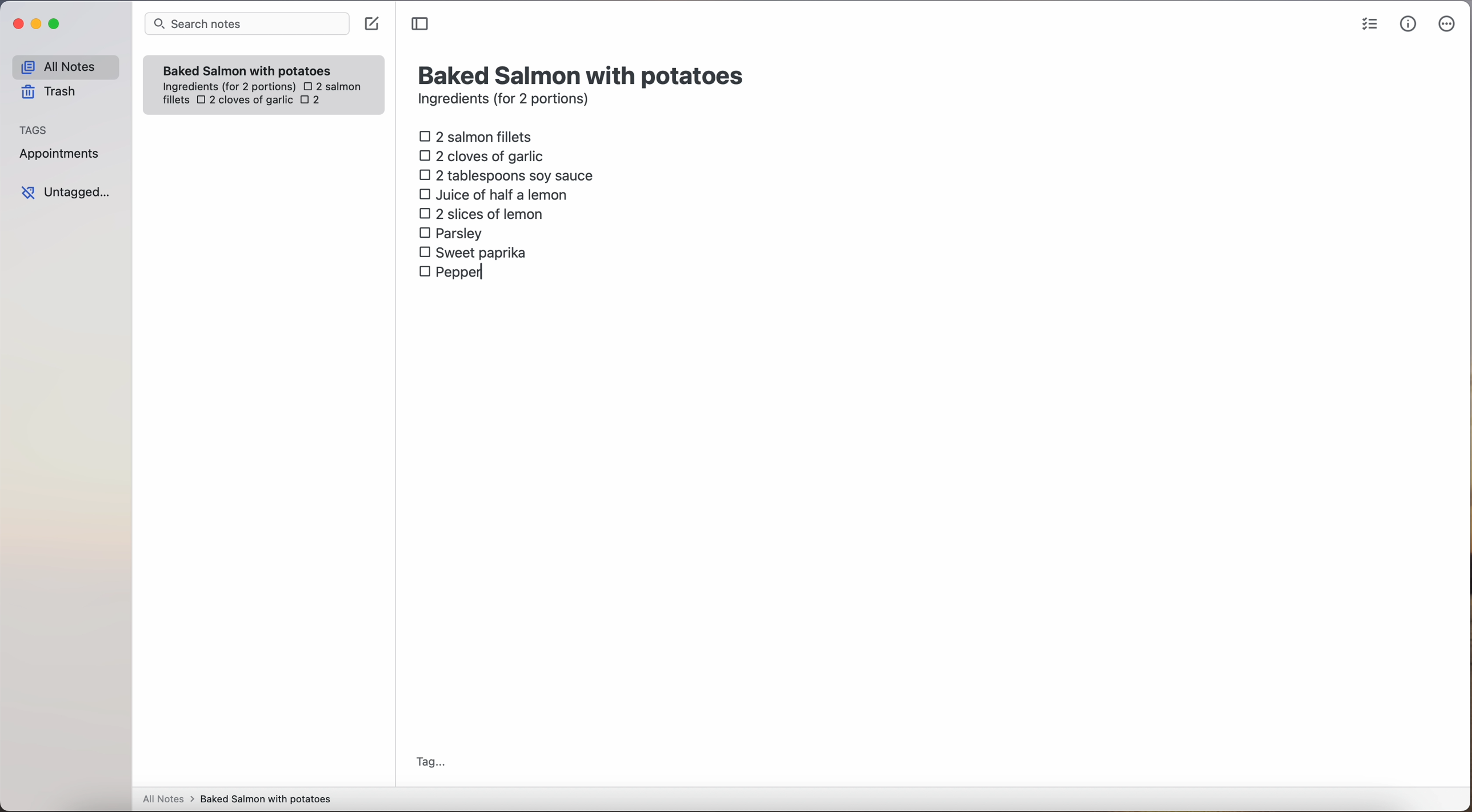 The width and height of the screenshot is (1472, 812). What do you see at coordinates (237, 798) in the screenshot?
I see `all notes > baked Salmon with potatoes` at bounding box center [237, 798].